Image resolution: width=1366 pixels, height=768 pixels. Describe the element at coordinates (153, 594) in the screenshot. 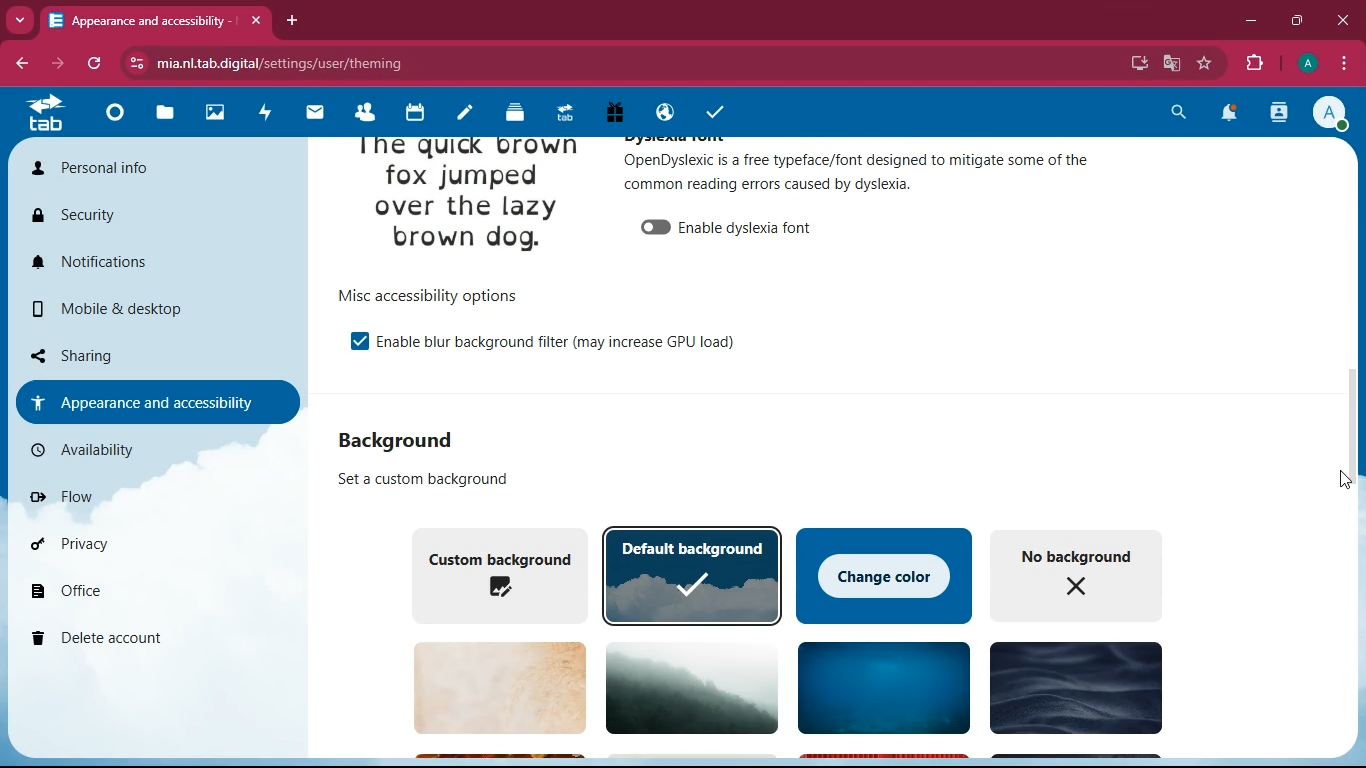

I see `office` at that location.